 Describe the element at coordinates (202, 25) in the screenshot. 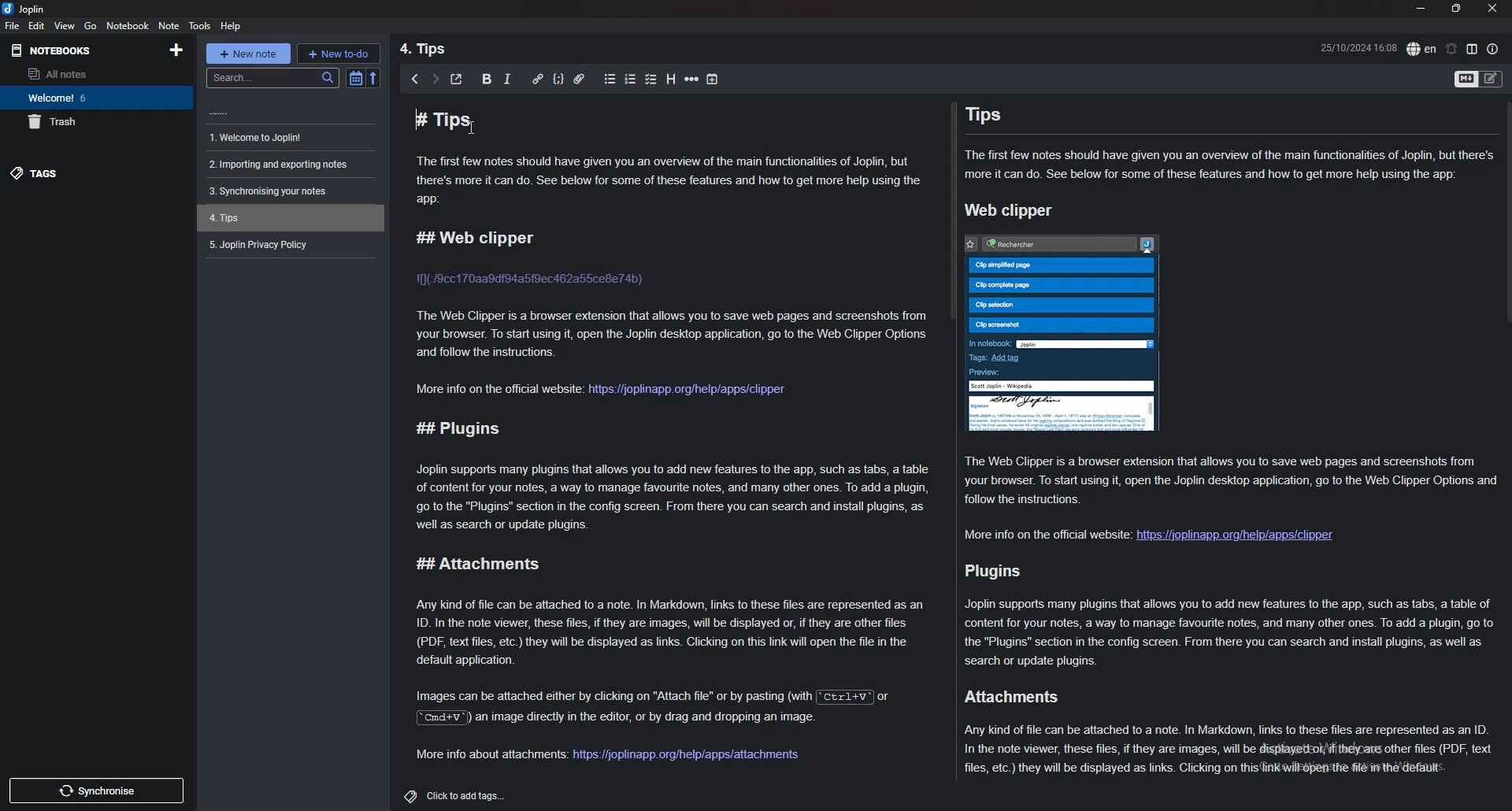

I see `tools` at that location.